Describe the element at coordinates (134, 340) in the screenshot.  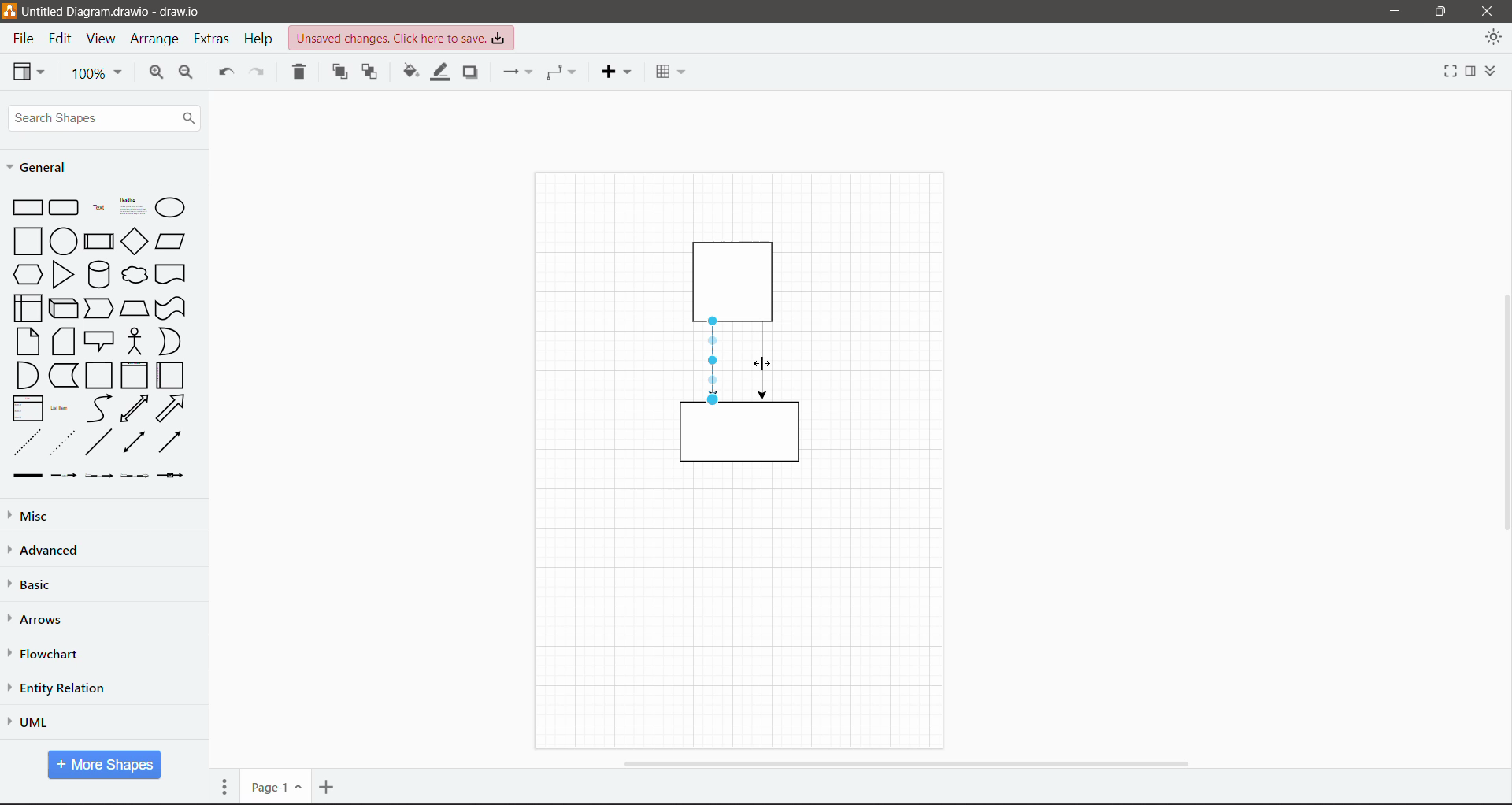
I see `Actor` at that location.